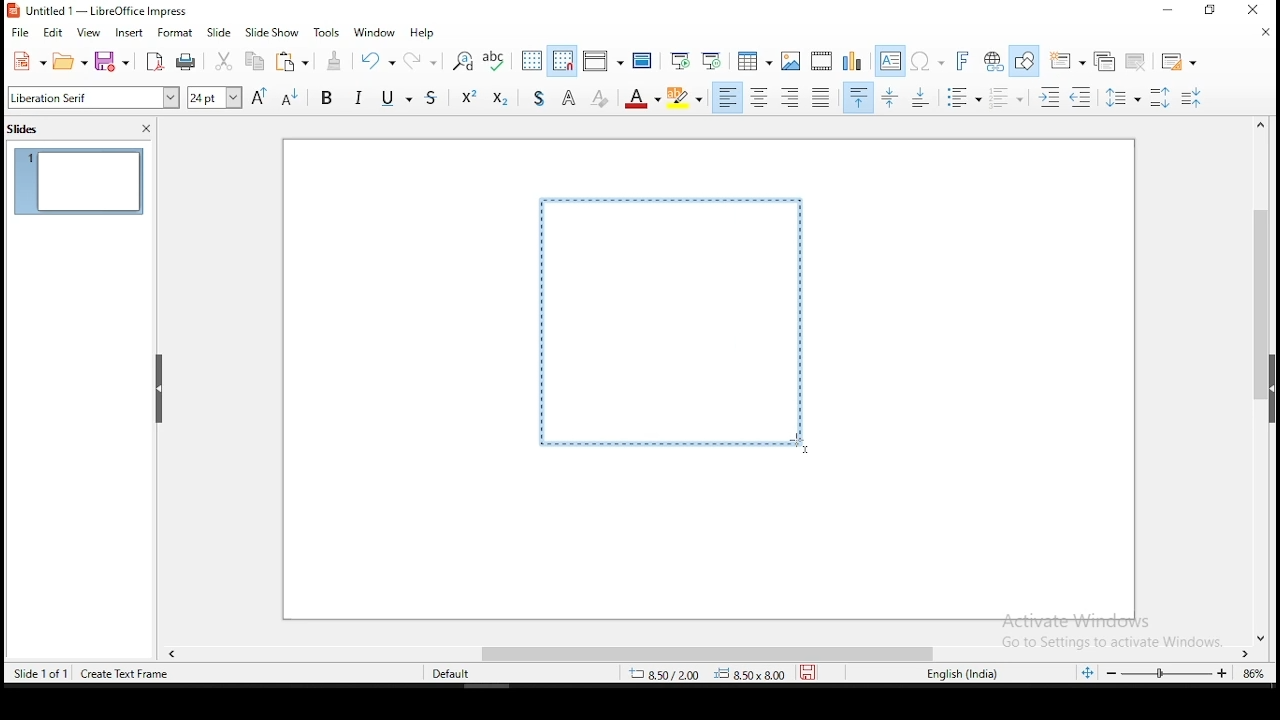 This screenshot has height=720, width=1280. Describe the element at coordinates (926, 62) in the screenshot. I see `insert special characters` at that location.